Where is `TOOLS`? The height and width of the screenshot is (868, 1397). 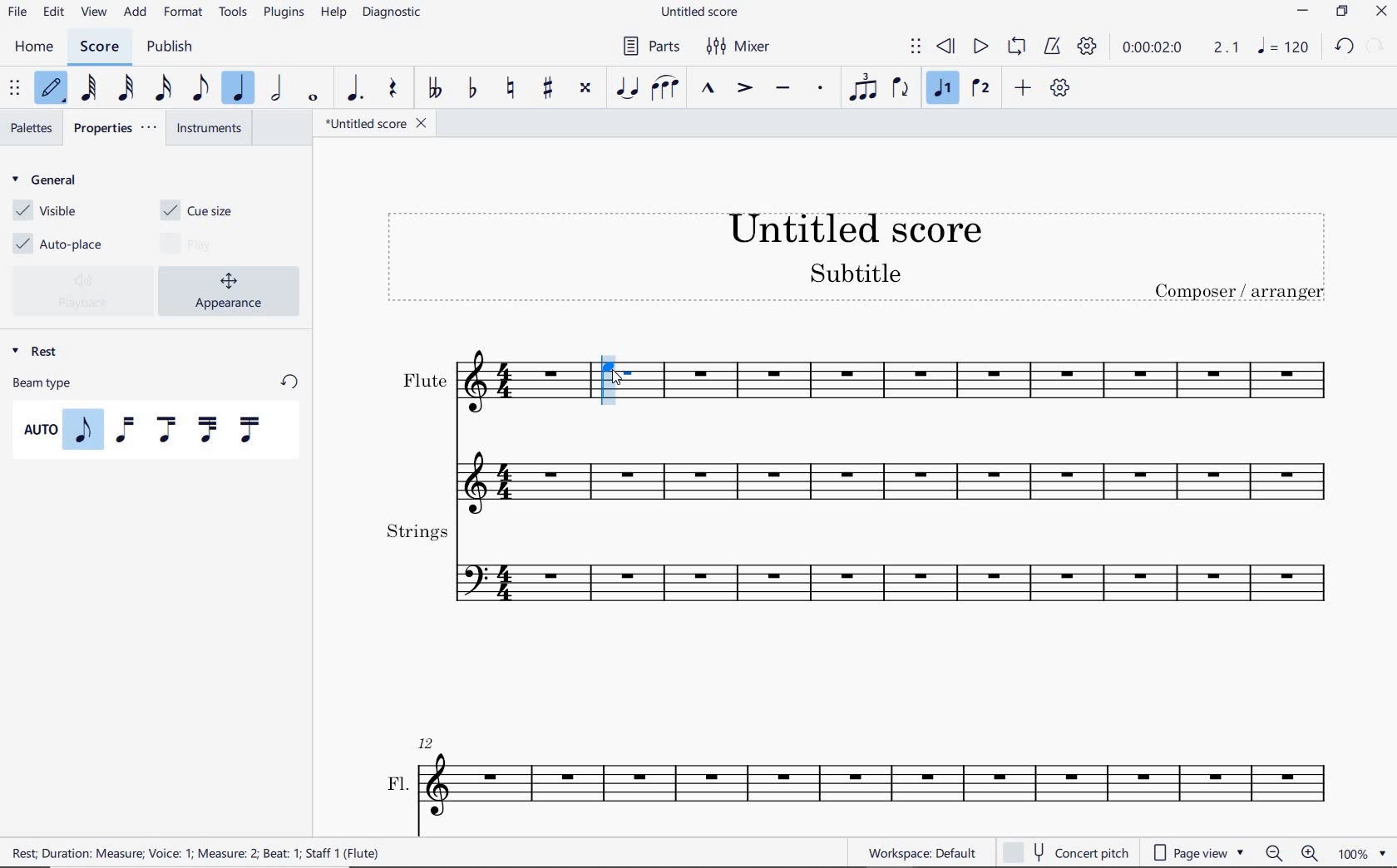
TOOLS is located at coordinates (234, 13).